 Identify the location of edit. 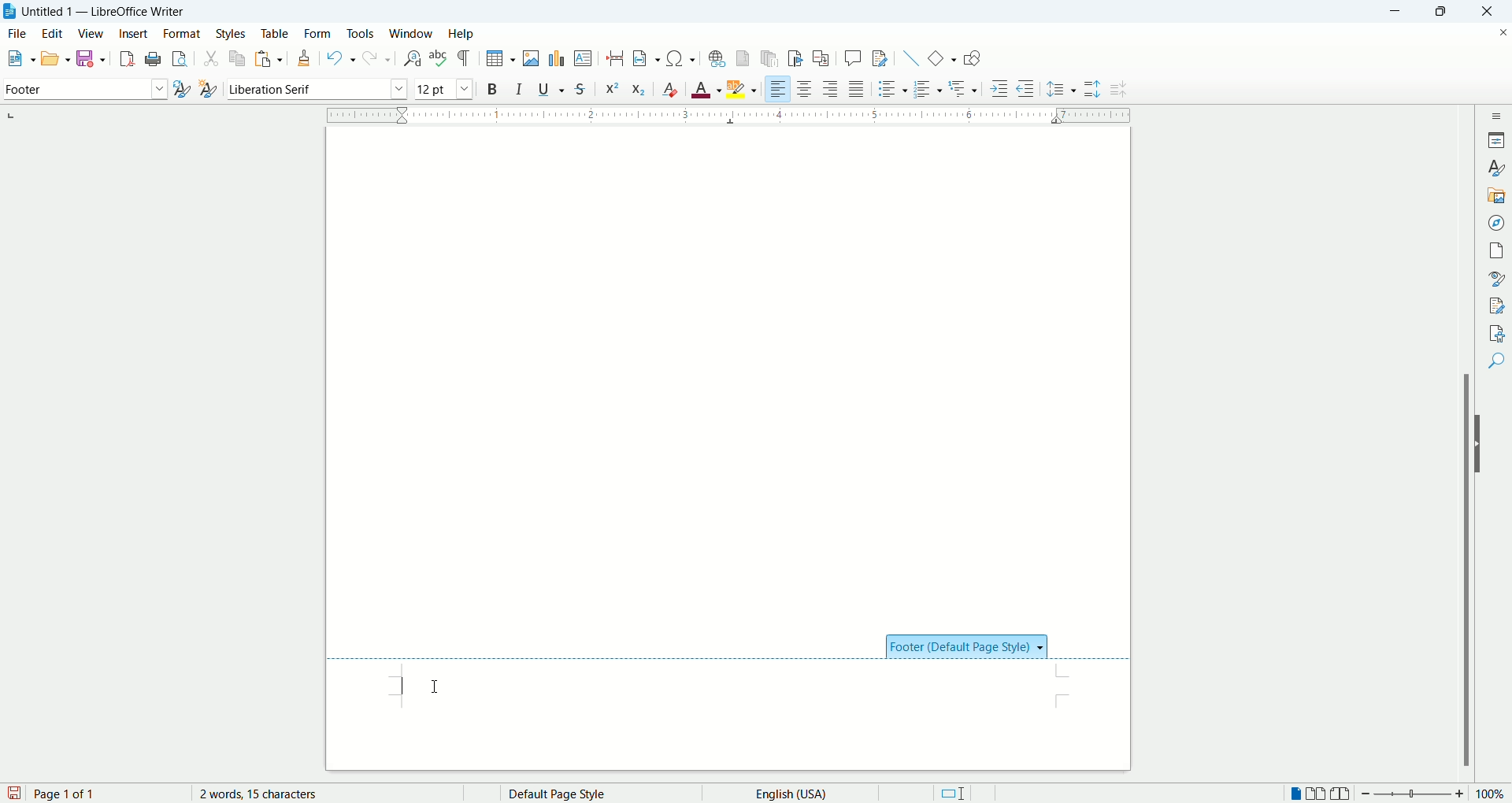
(55, 33).